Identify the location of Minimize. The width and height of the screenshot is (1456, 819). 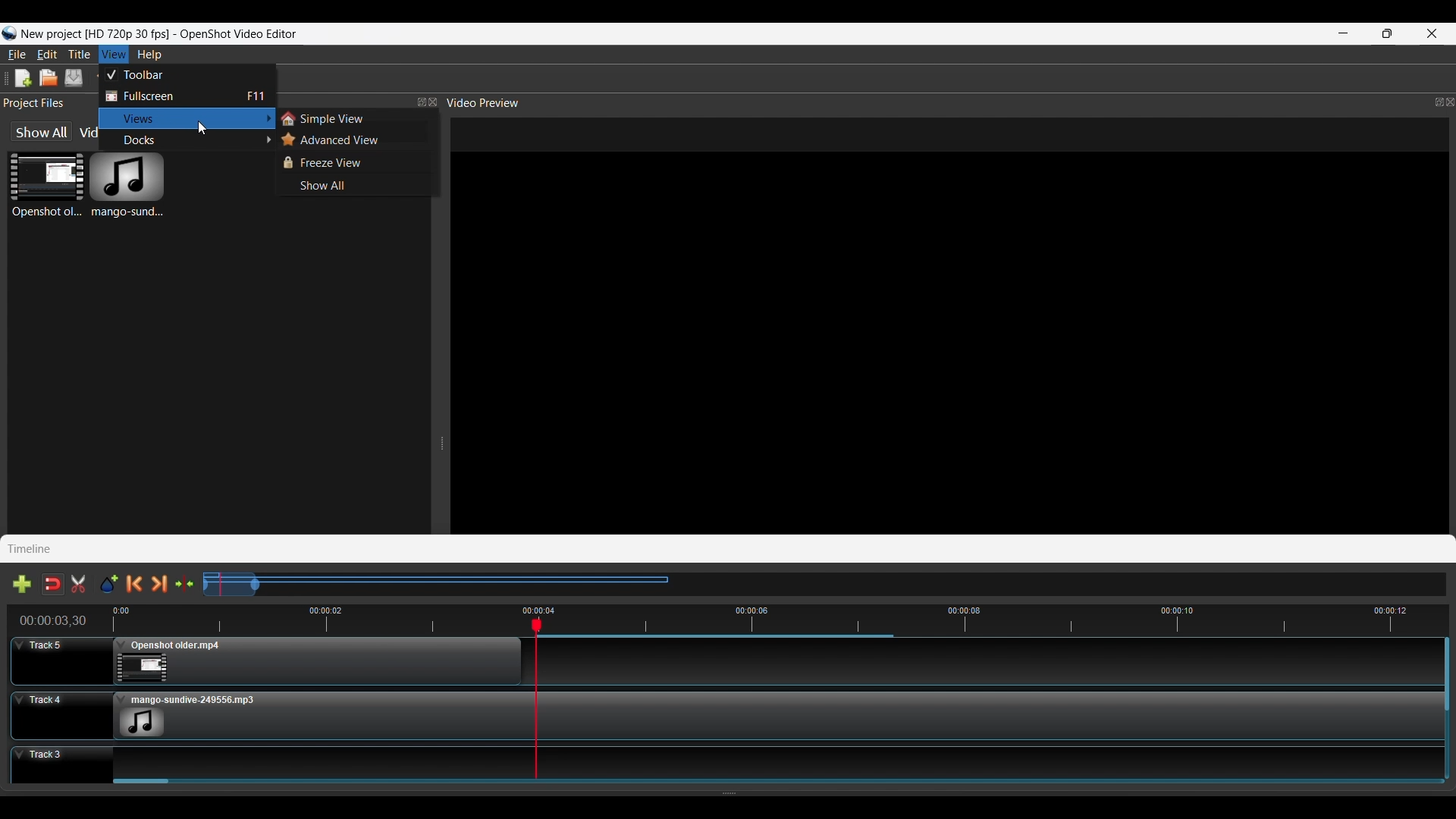
(1344, 33).